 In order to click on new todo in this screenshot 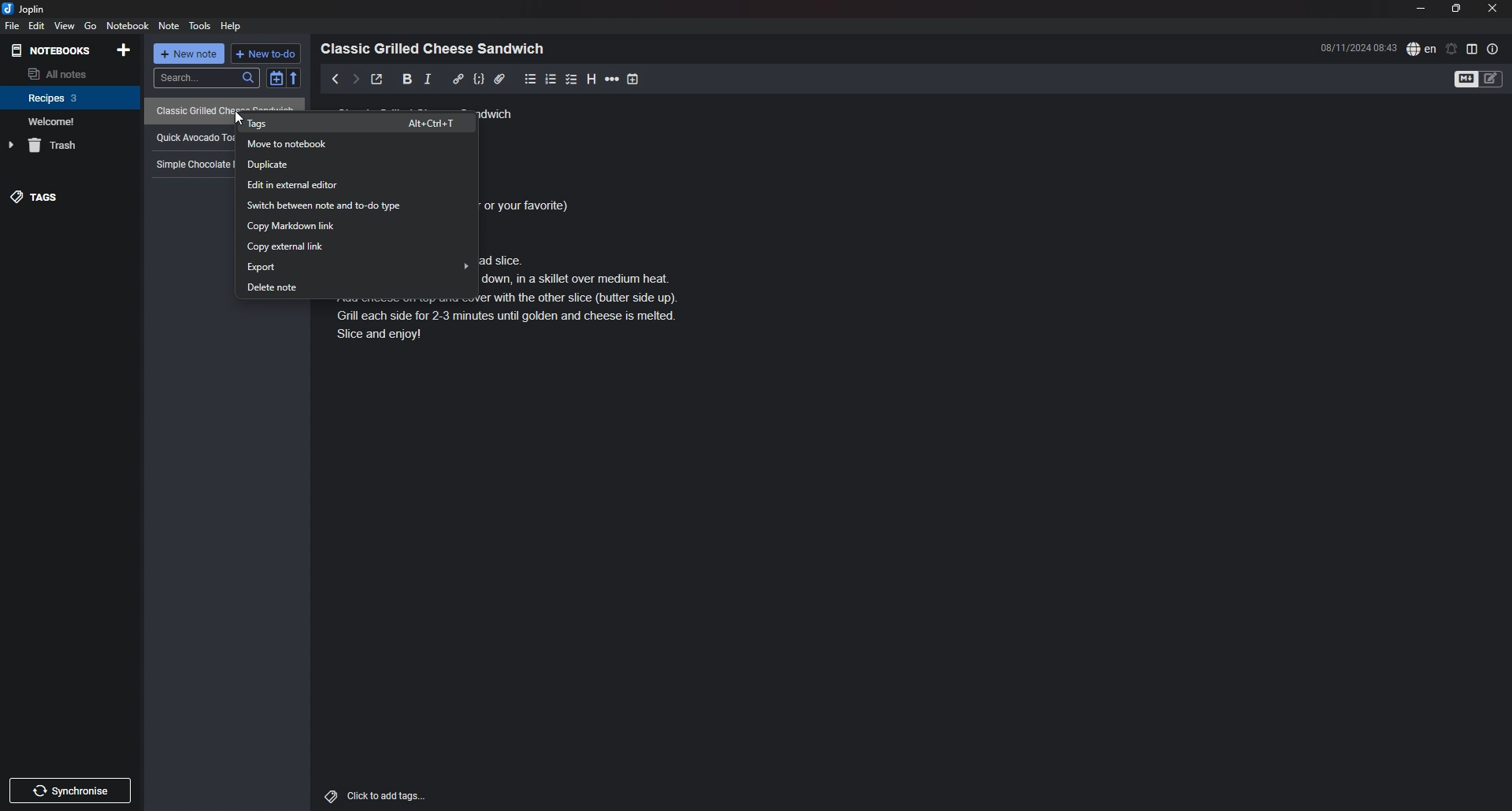, I will do `click(267, 54)`.